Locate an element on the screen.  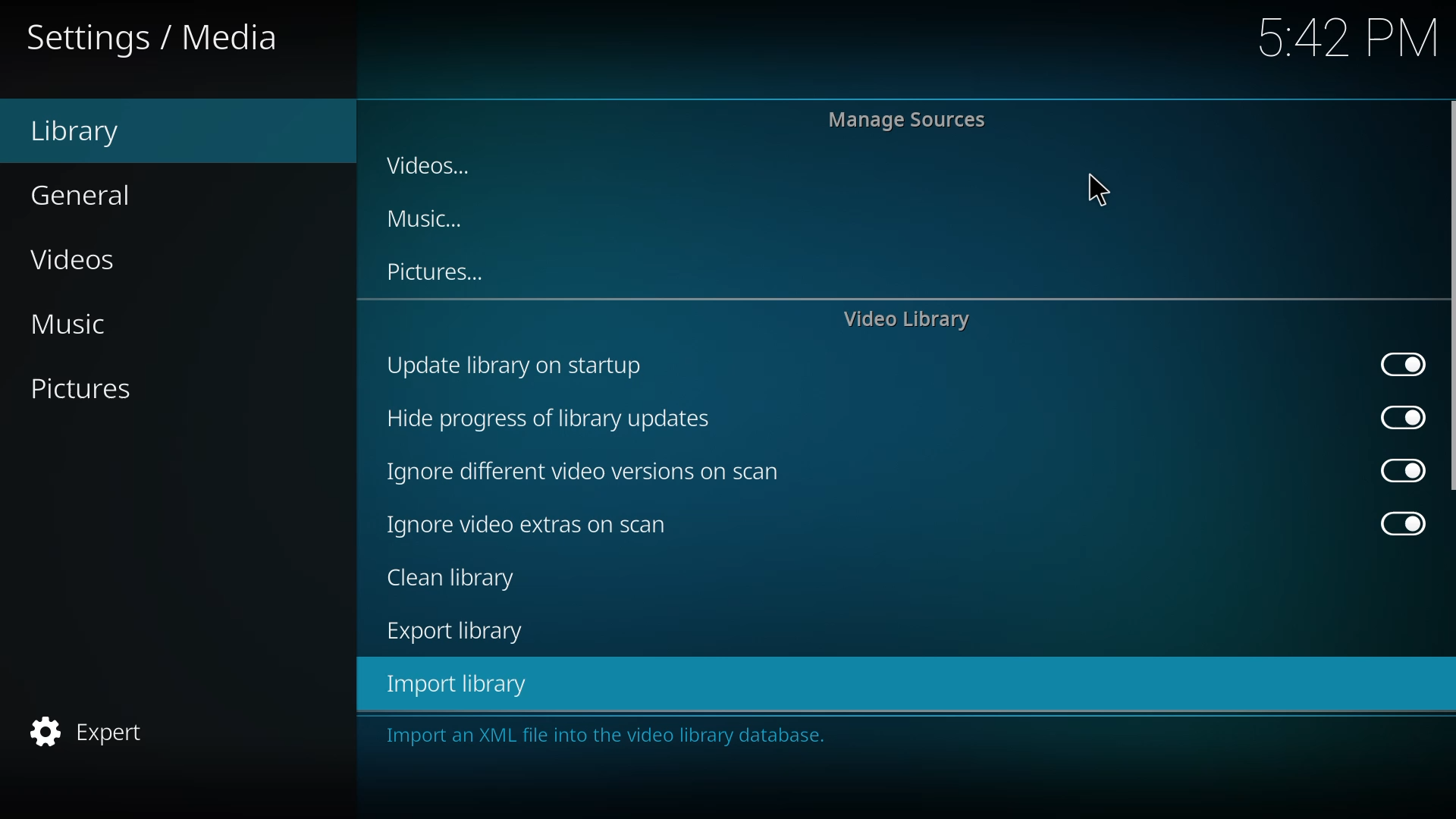
videos is located at coordinates (432, 165).